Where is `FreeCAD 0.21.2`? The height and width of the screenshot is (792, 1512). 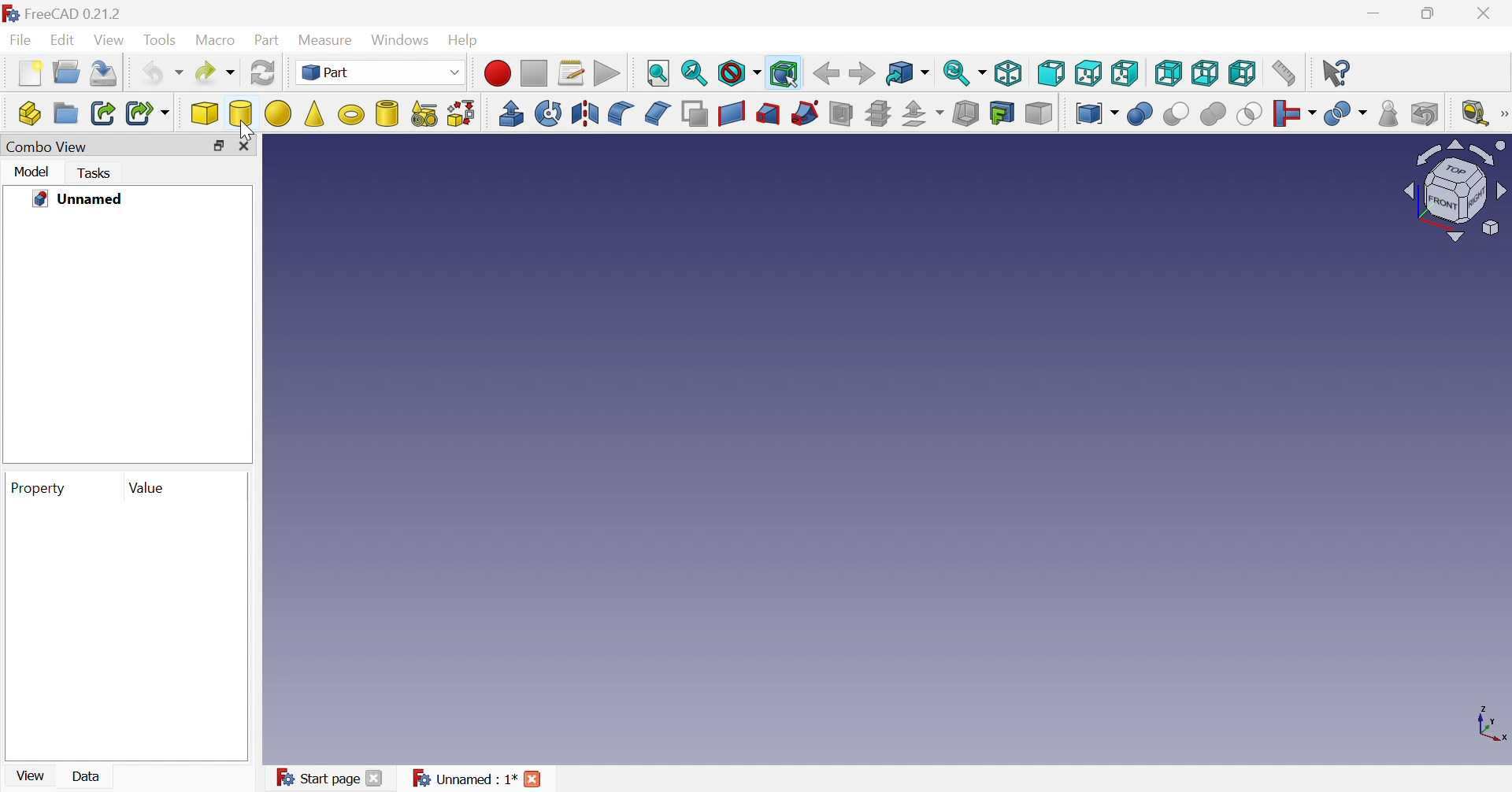
FreeCAD 0.21.2 is located at coordinates (68, 14).